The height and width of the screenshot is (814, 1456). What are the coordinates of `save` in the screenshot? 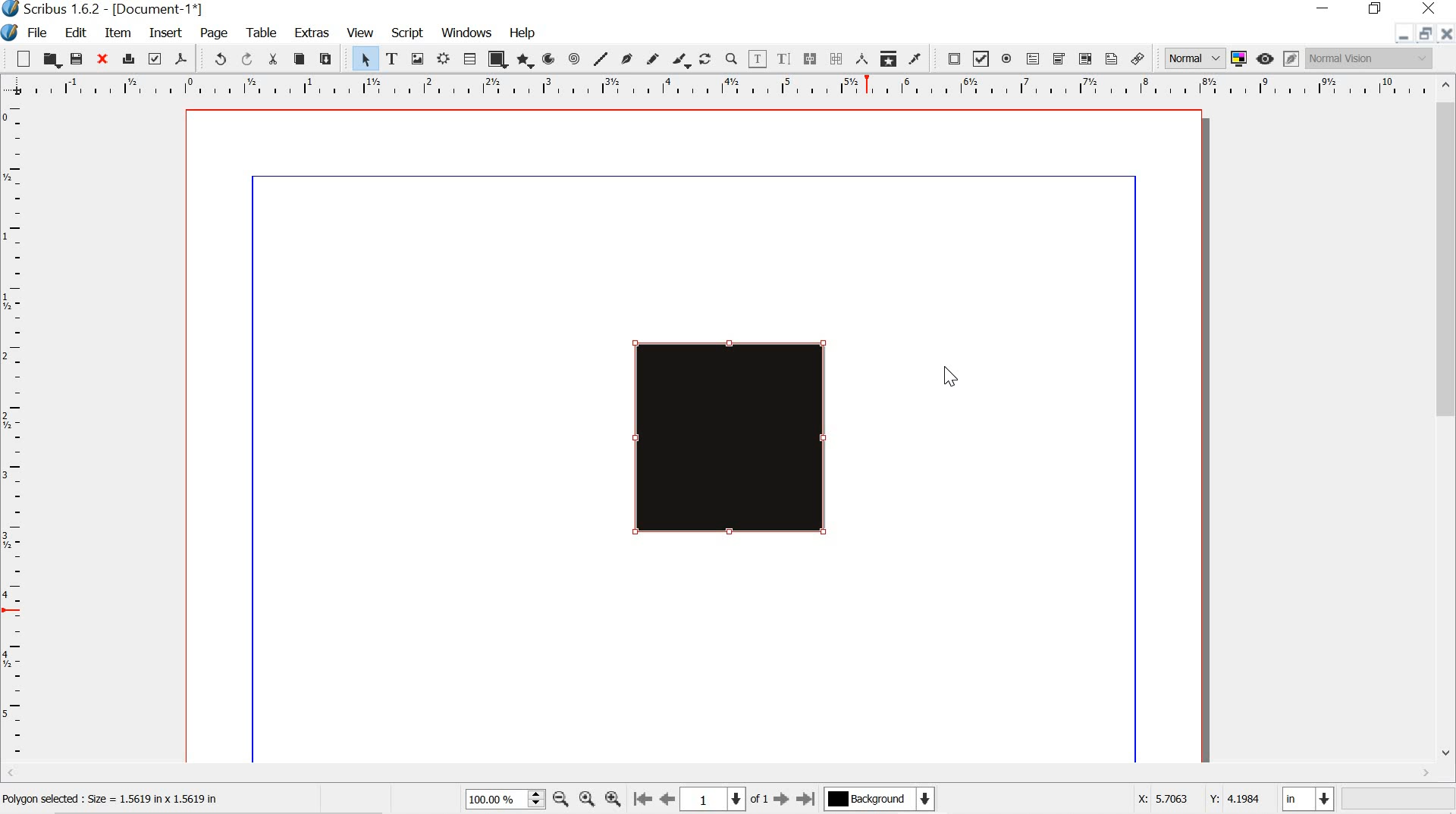 It's located at (78, 58).